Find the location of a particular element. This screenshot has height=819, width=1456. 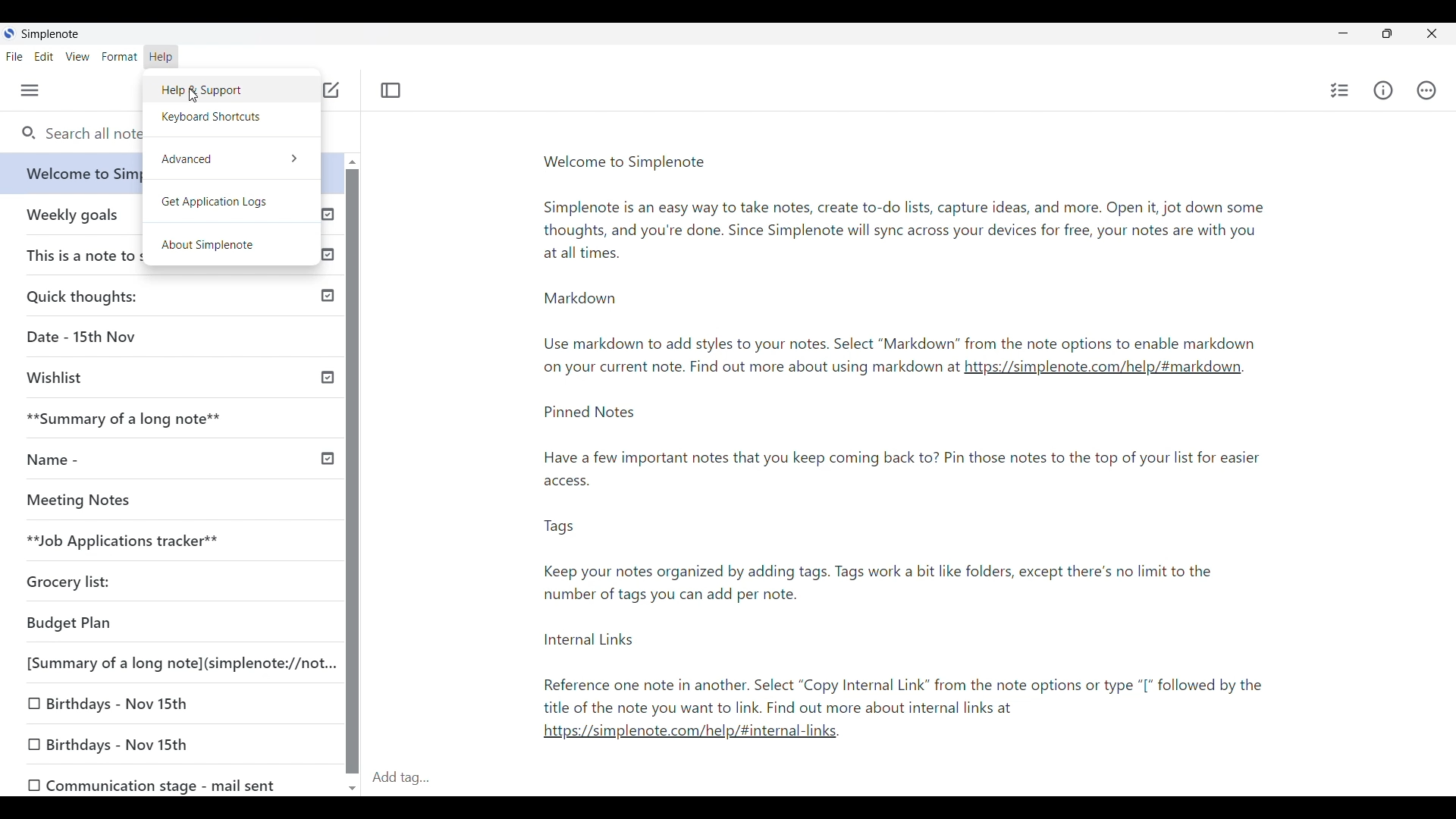

Menu is located at coordinates (30, 90).